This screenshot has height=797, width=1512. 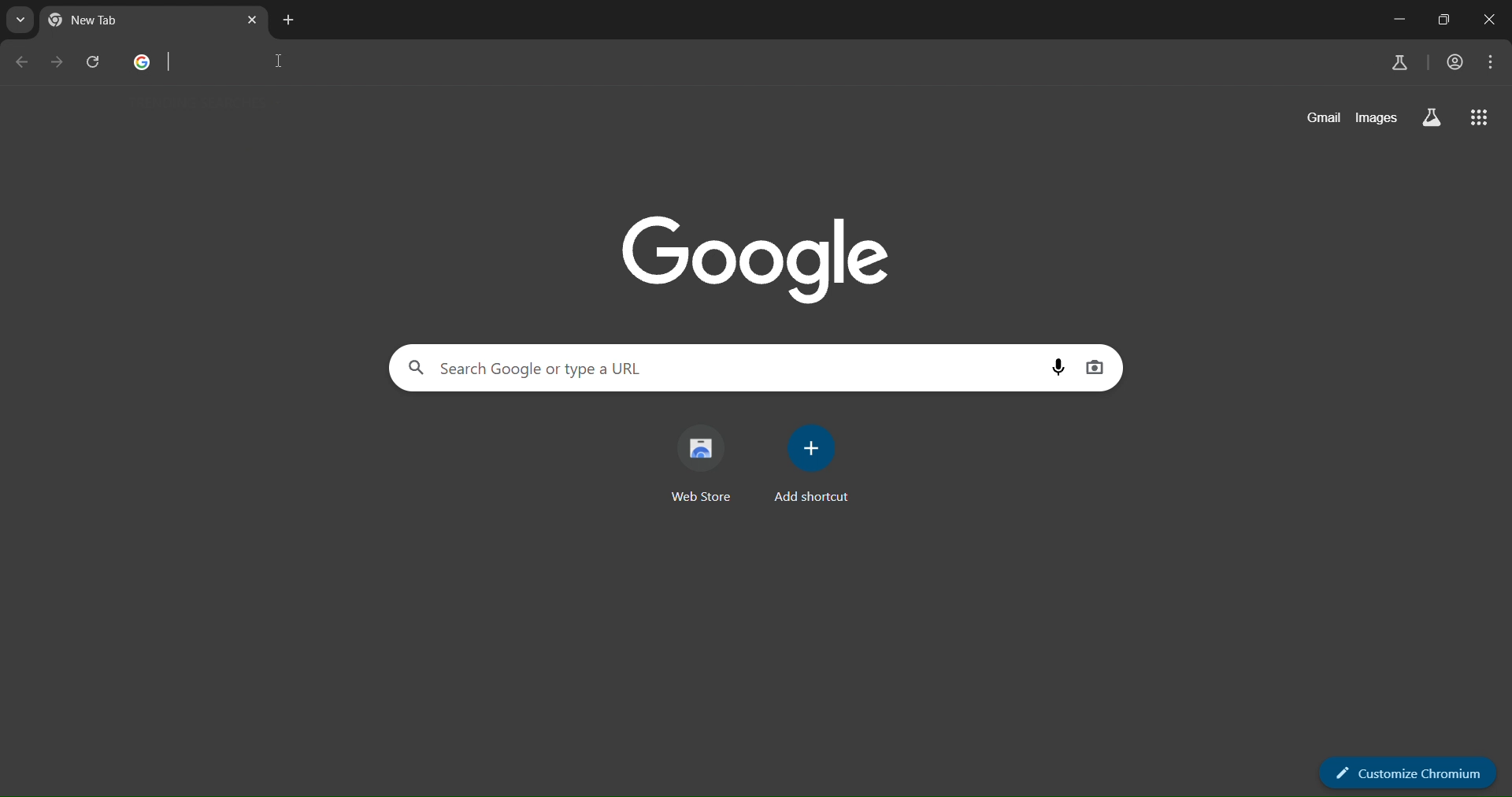 I want to click on go back one page, so click(x=22, y=65).